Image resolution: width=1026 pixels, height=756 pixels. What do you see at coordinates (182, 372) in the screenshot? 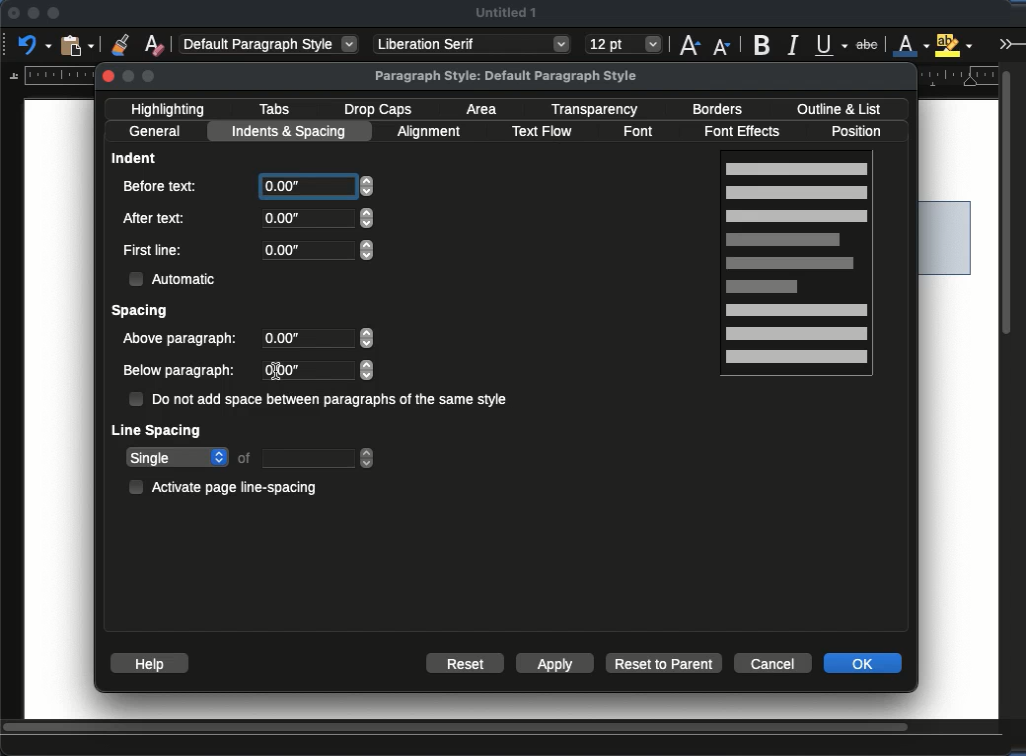
I see `below paragraph` at bounding box center [182, 372].